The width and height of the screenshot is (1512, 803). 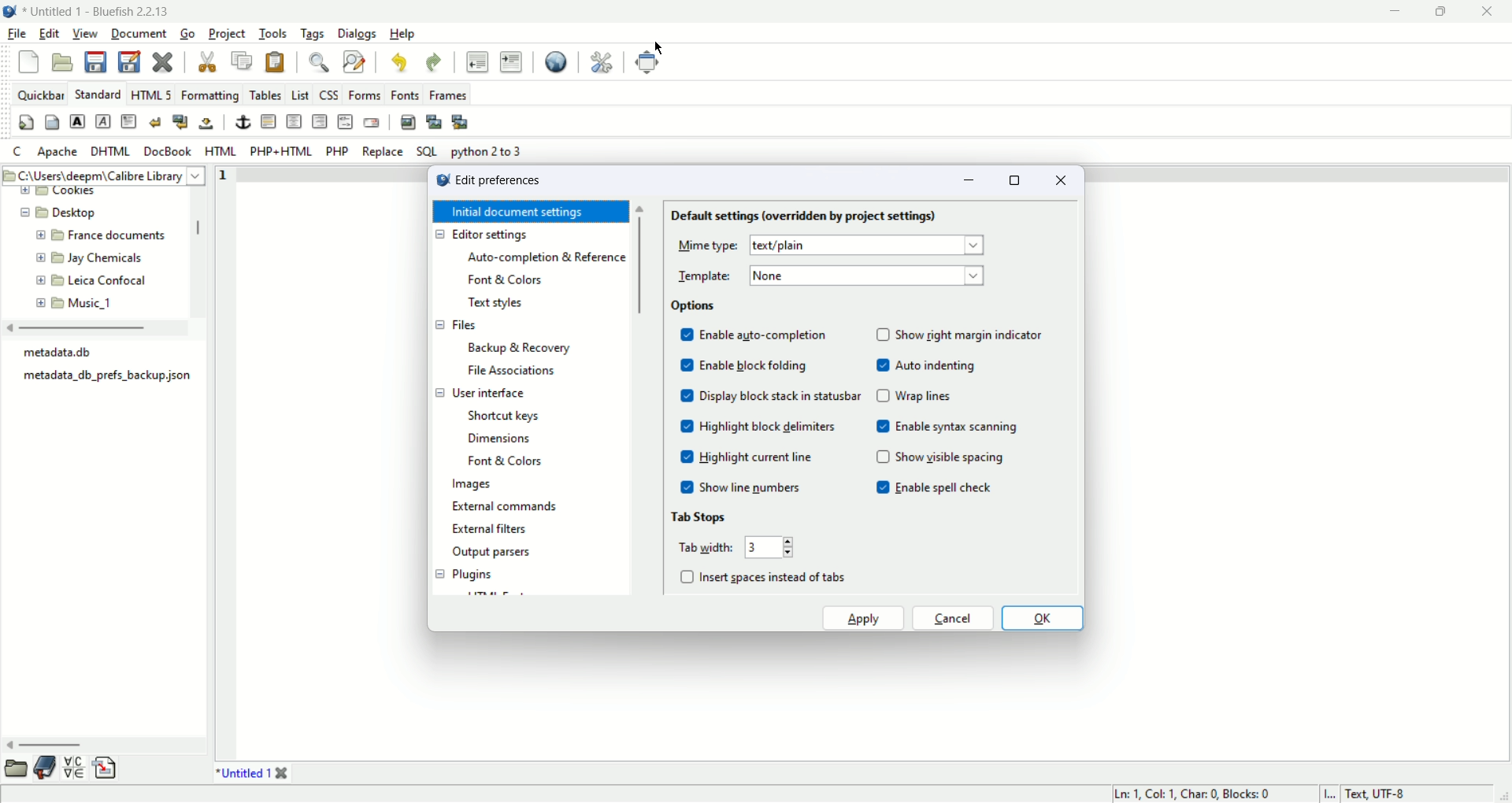 What do you see at coordinates (97, 94) in the screenshot?
I see `standard` at bounding box center [97, 94].